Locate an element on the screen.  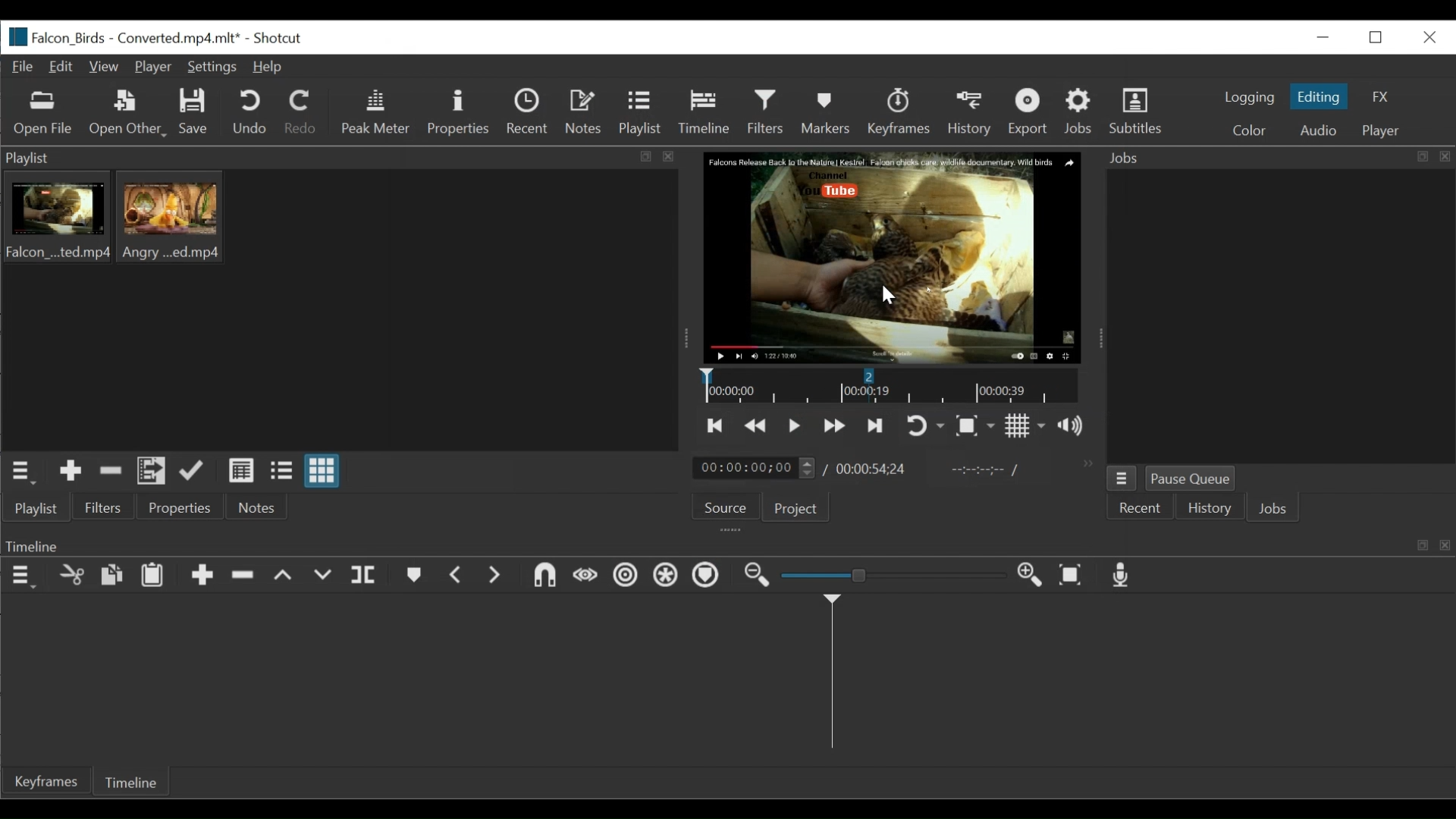
Jobs Menu is located at coordinates (1122, 479).